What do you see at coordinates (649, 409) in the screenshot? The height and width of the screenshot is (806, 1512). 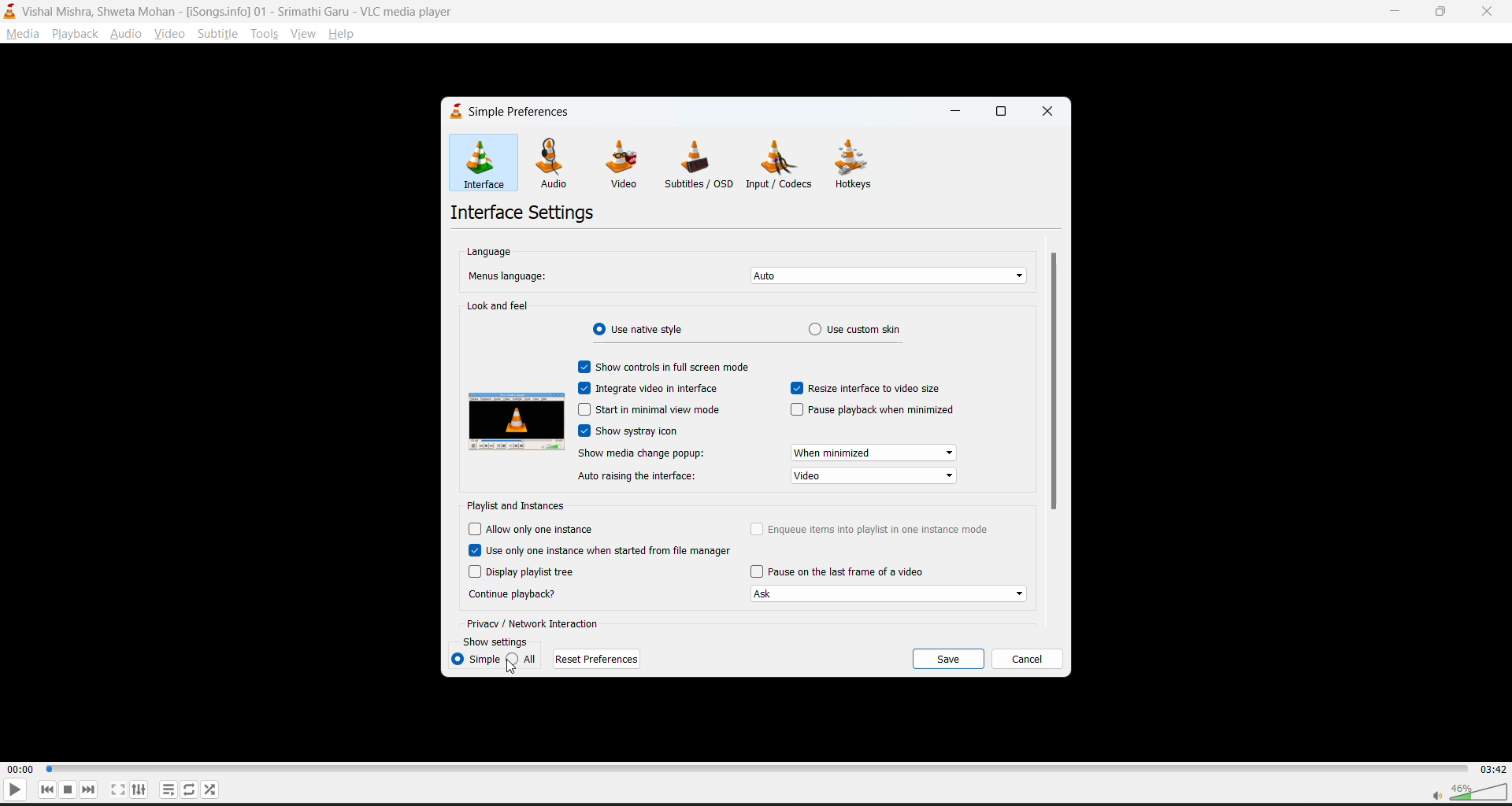 I see `start in minimal view mode` at bounding box center [649, 409].